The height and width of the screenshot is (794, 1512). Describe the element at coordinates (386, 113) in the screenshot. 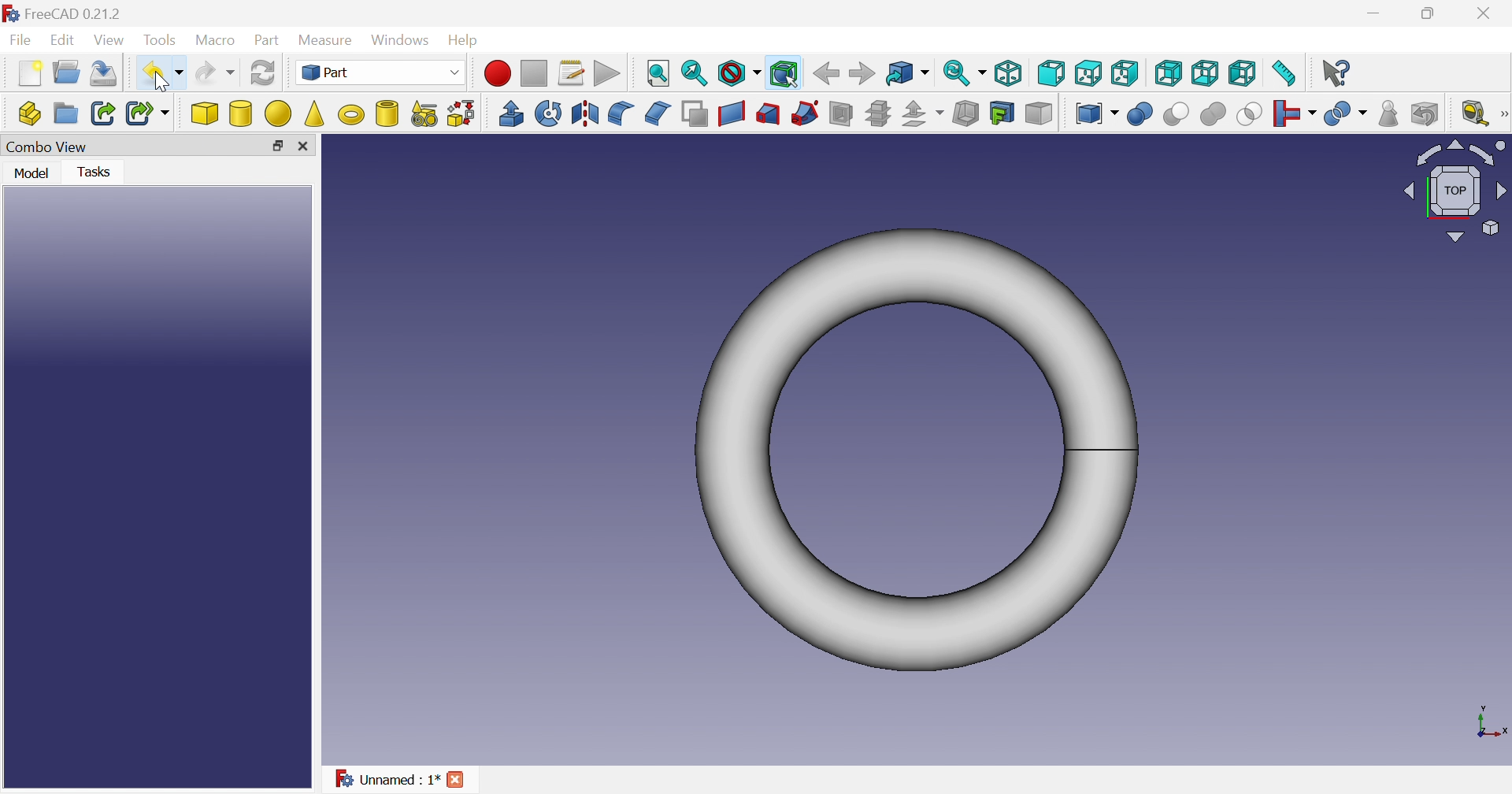

I see `Create tube` at that location.